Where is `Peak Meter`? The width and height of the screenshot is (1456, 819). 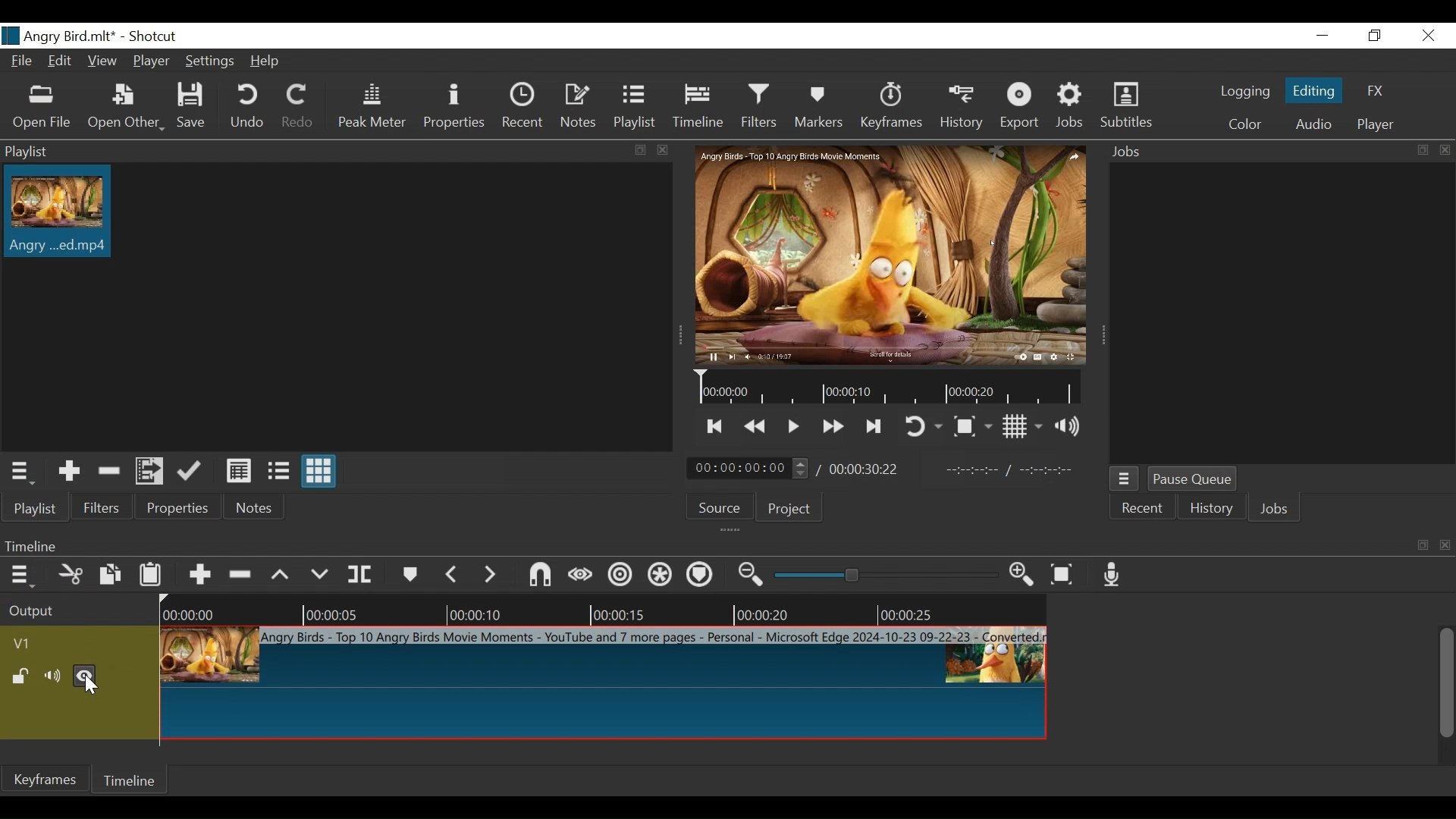
Peak Meter is located at coordinates (370, 106).